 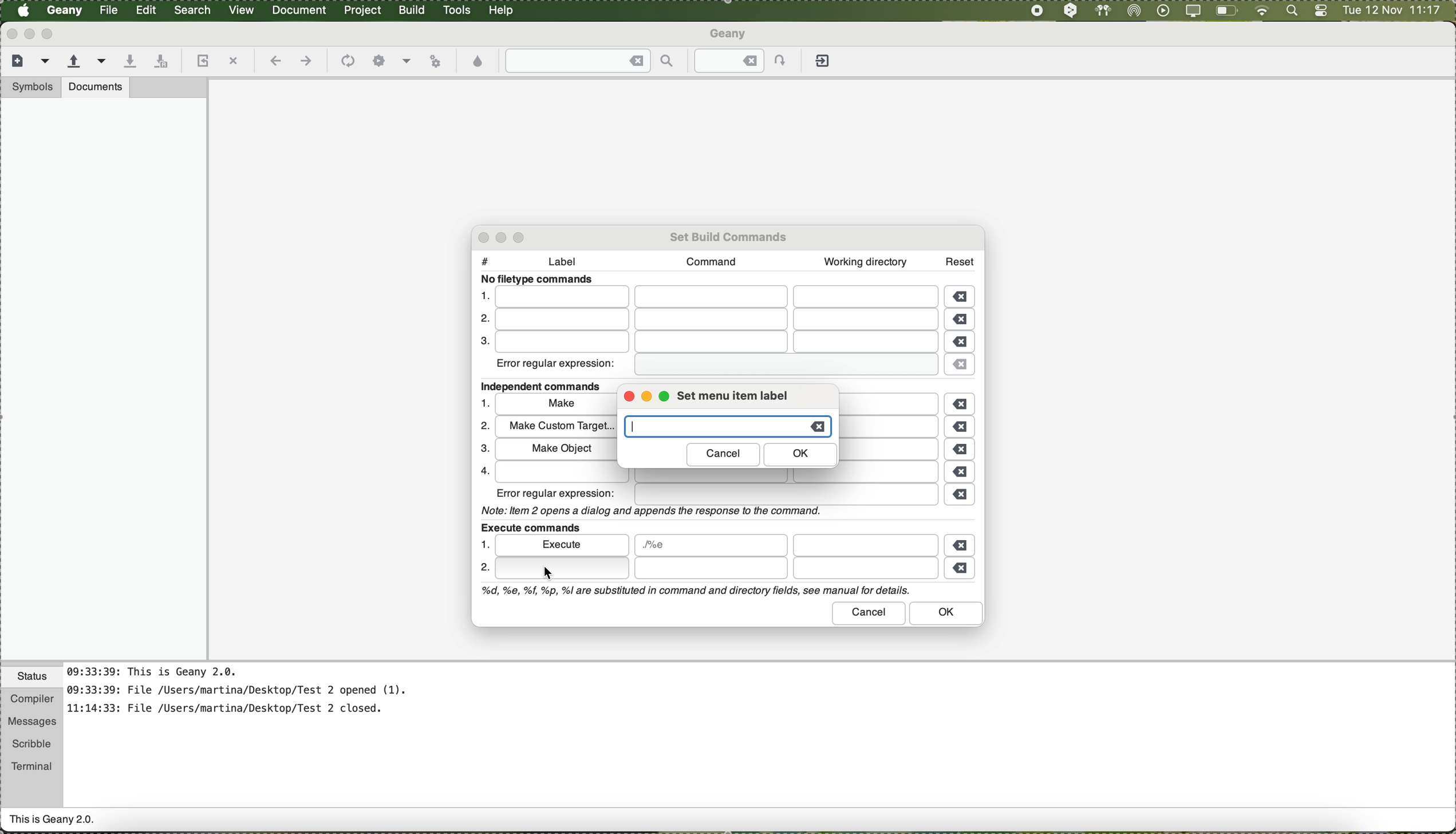 What do you see at coordinates (1134, 11) in the screenshot?
I see `airdrop` at bounding box center [1134, 11].